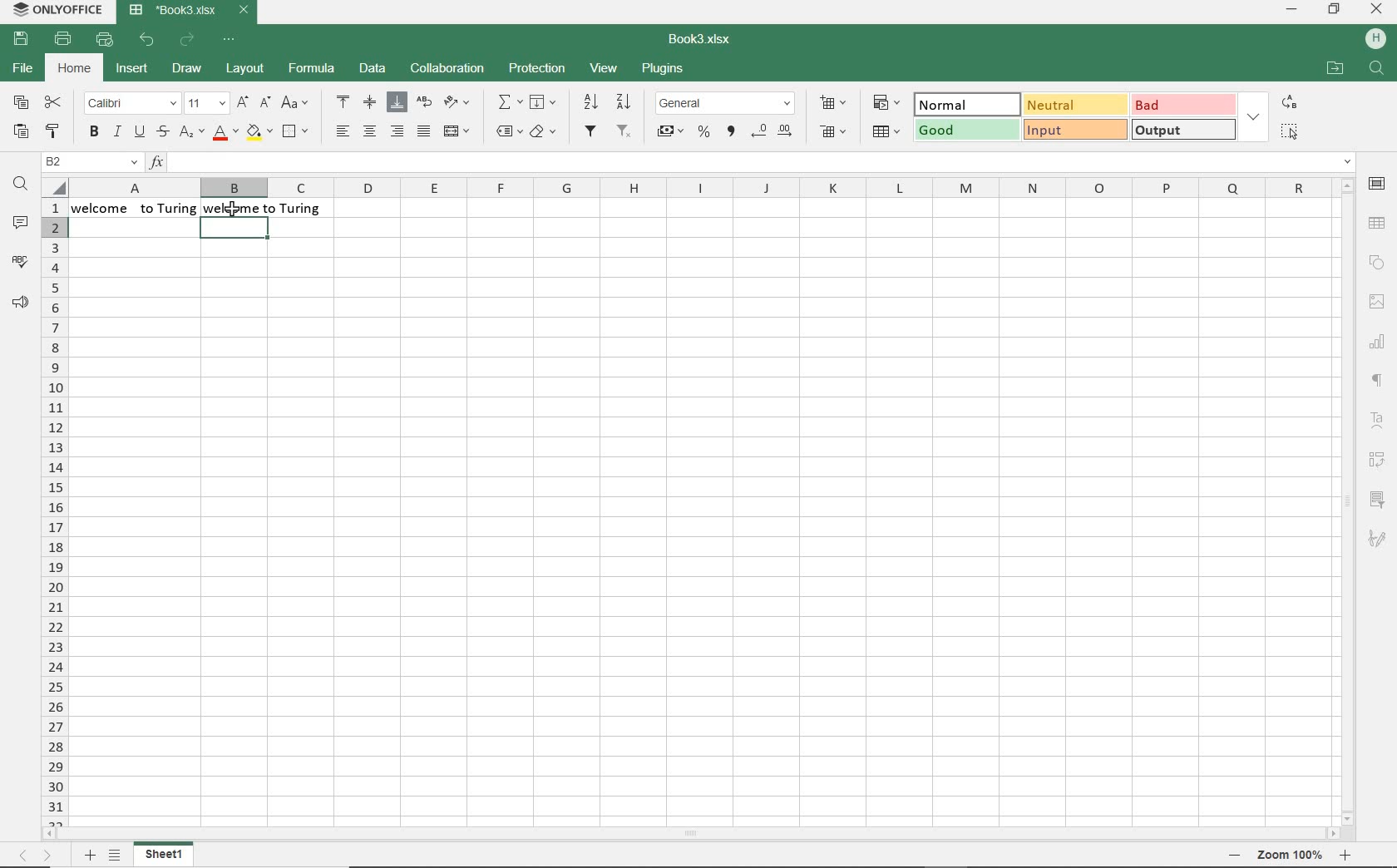  What do you see at coordinates (163, 856) in the screenshot?
I see `sheet1` at bounding box center [163, 856].